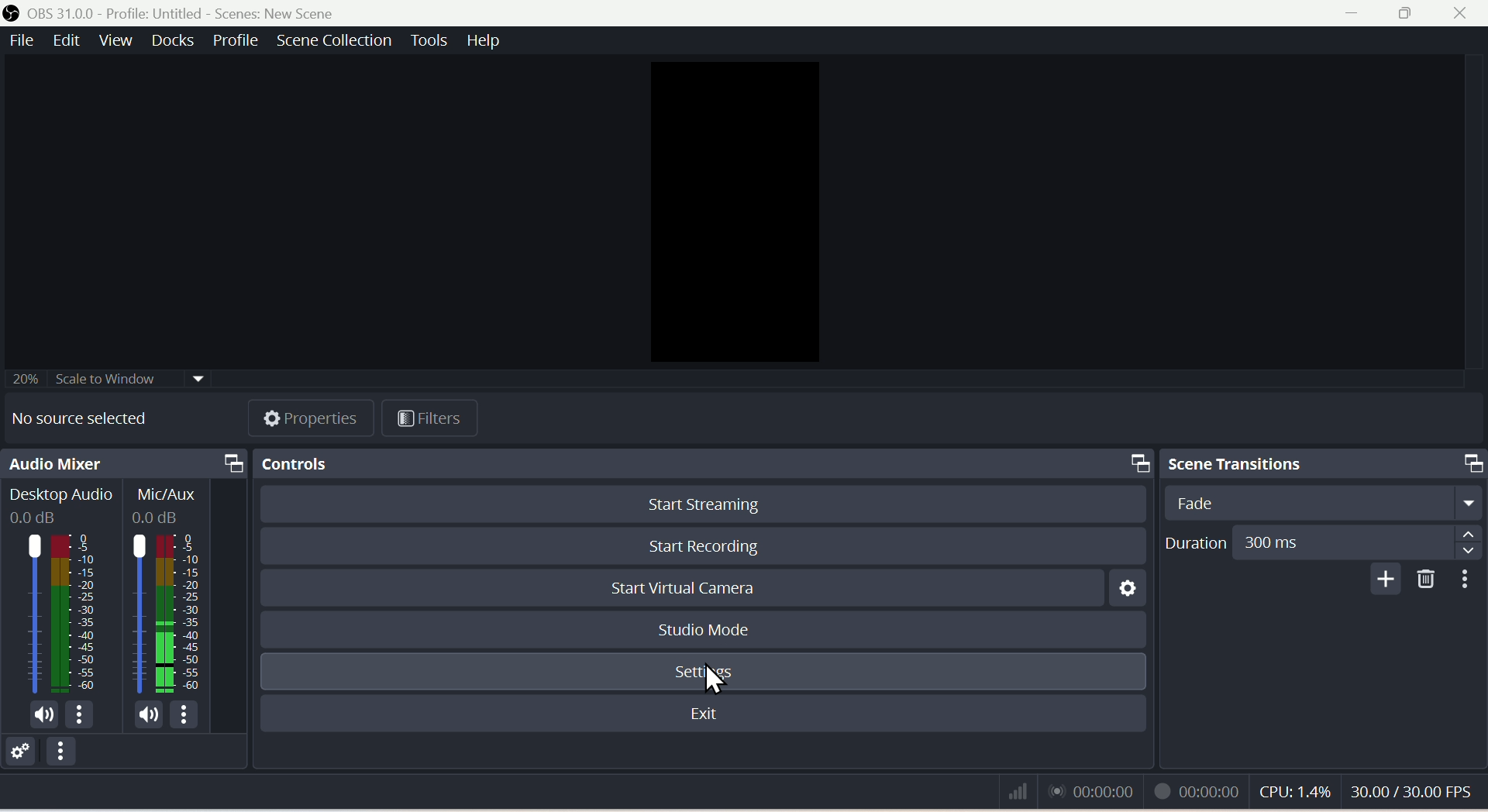 The height and width of the screenshot is (812, 1488). Describe the element at coordinates (714, 681) in the screenshot. I see `cursor` at that location.